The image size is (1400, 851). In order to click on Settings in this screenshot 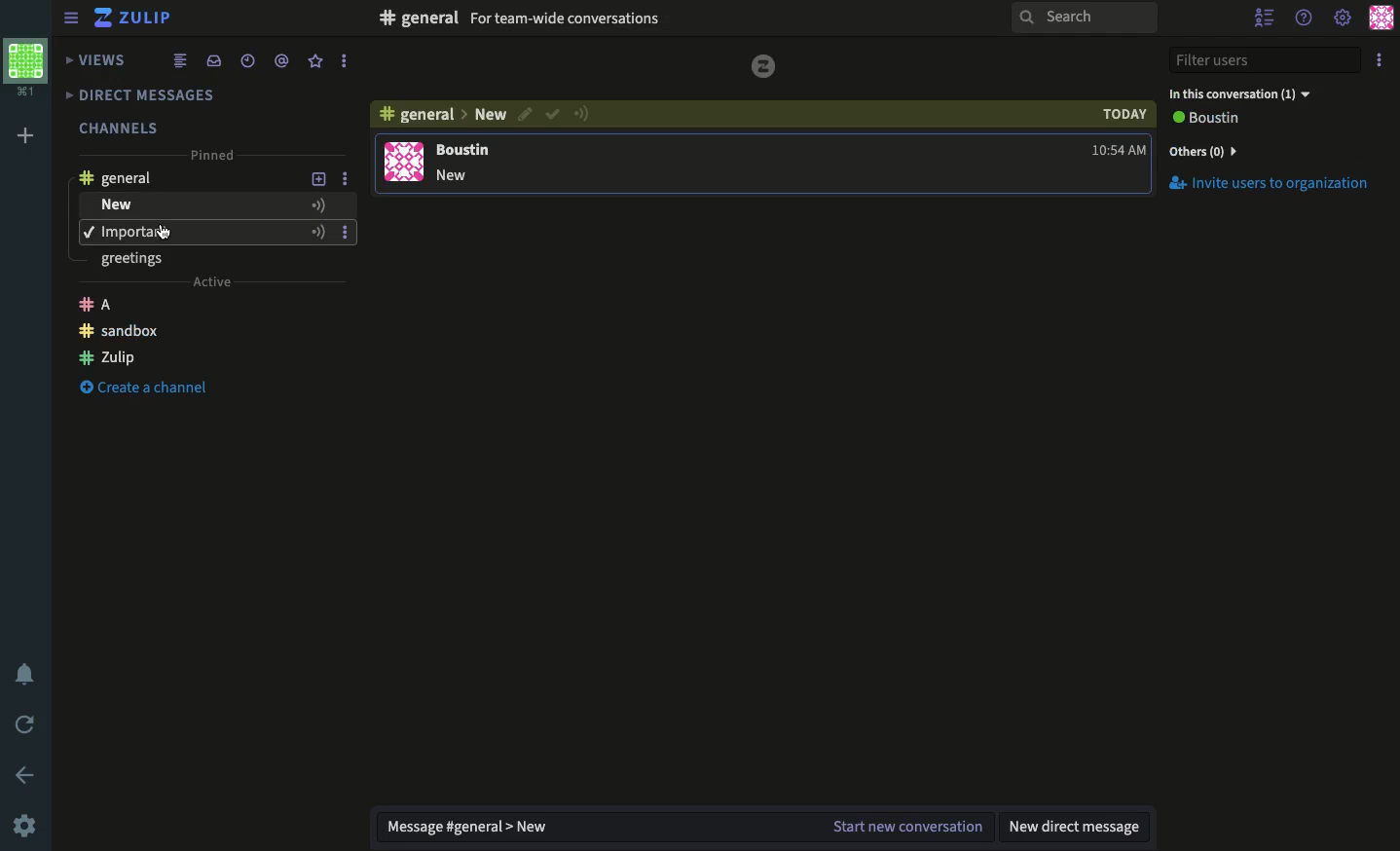, I will do `click(27, 825)`.